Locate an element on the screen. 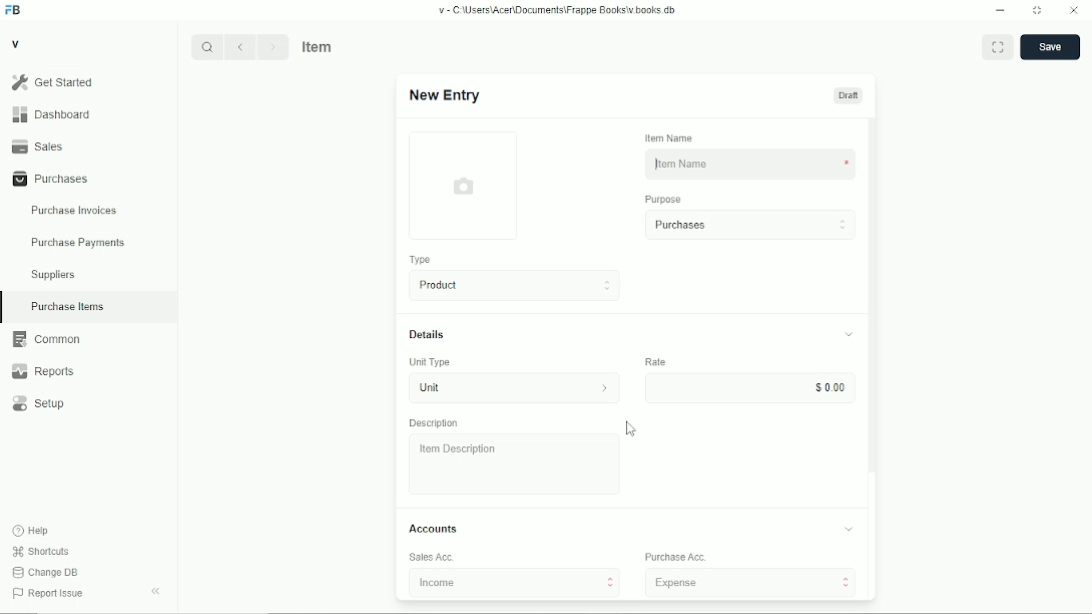  details is located at coordinates (427, 334).